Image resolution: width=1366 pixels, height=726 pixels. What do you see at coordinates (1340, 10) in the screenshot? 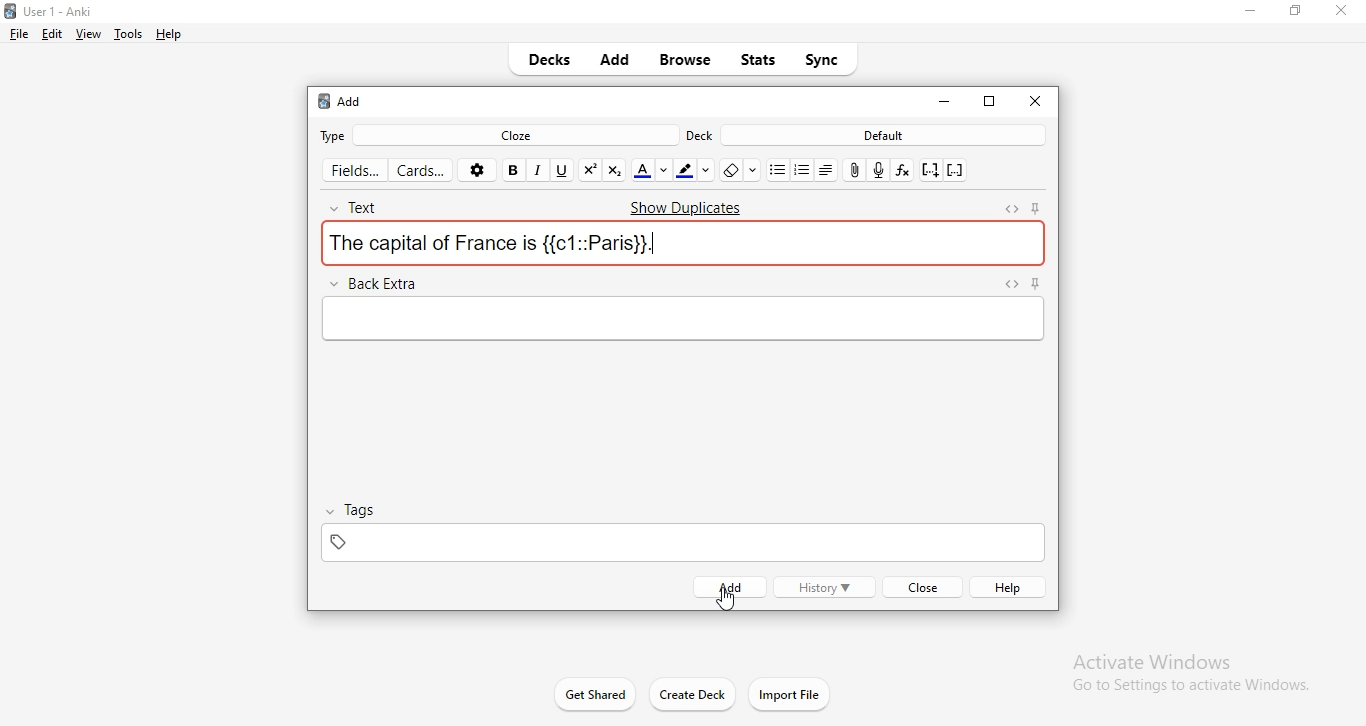
I see `close` at bounding box center [1340, 10].